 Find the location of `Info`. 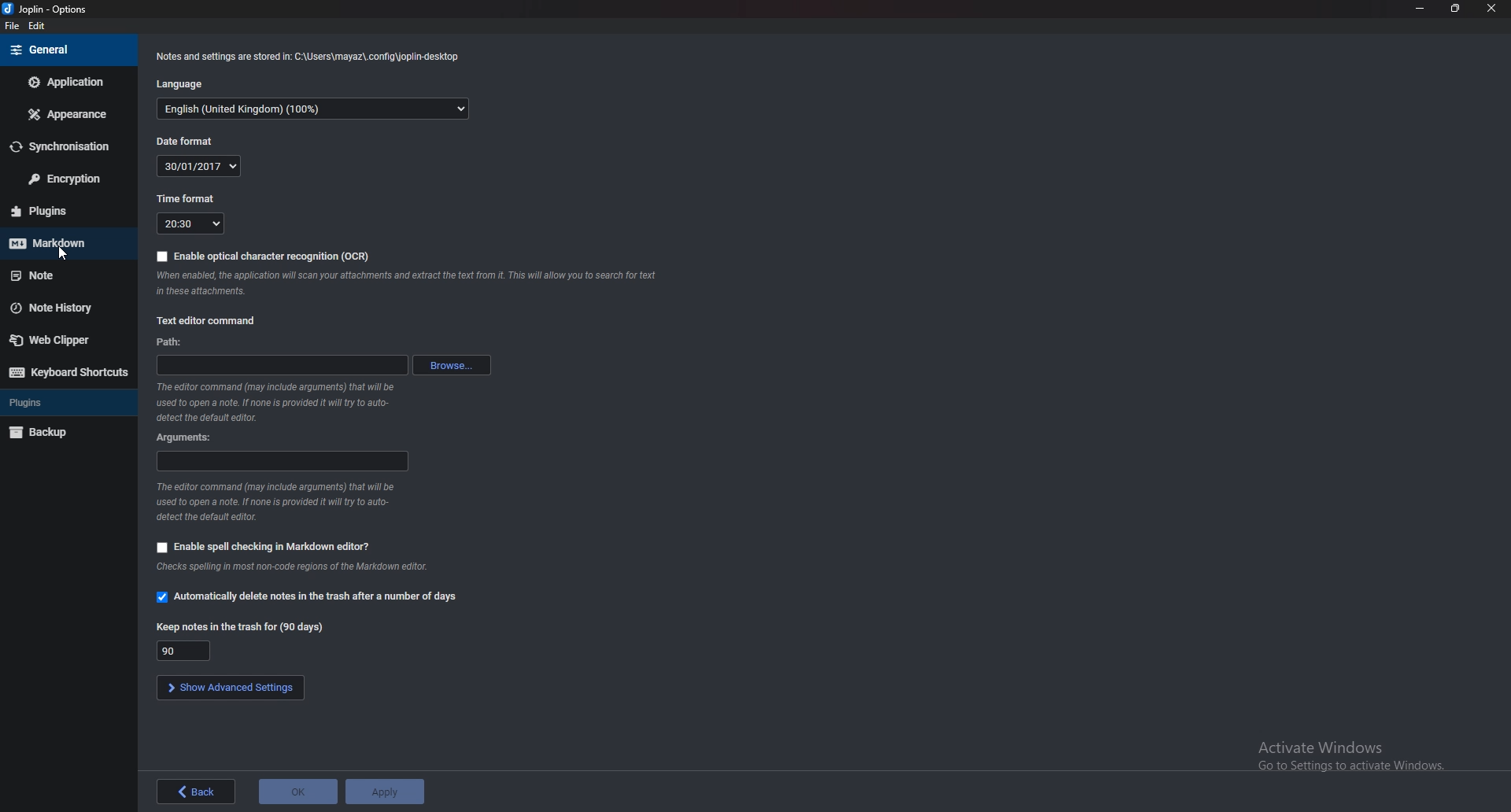

Info is located at coordinates (283, 403).